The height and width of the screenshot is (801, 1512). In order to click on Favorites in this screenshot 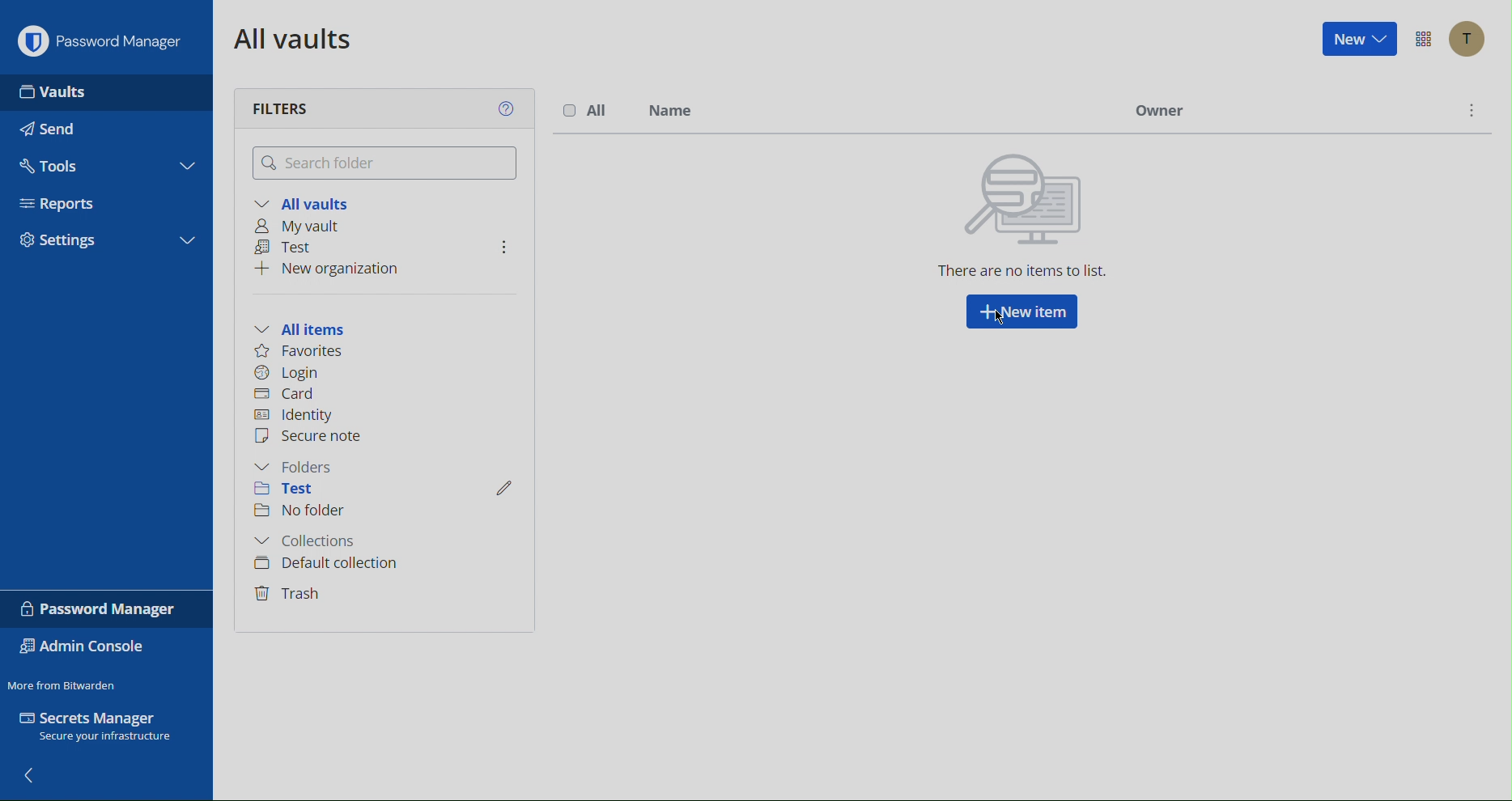, I will do `click(303, 353)`.